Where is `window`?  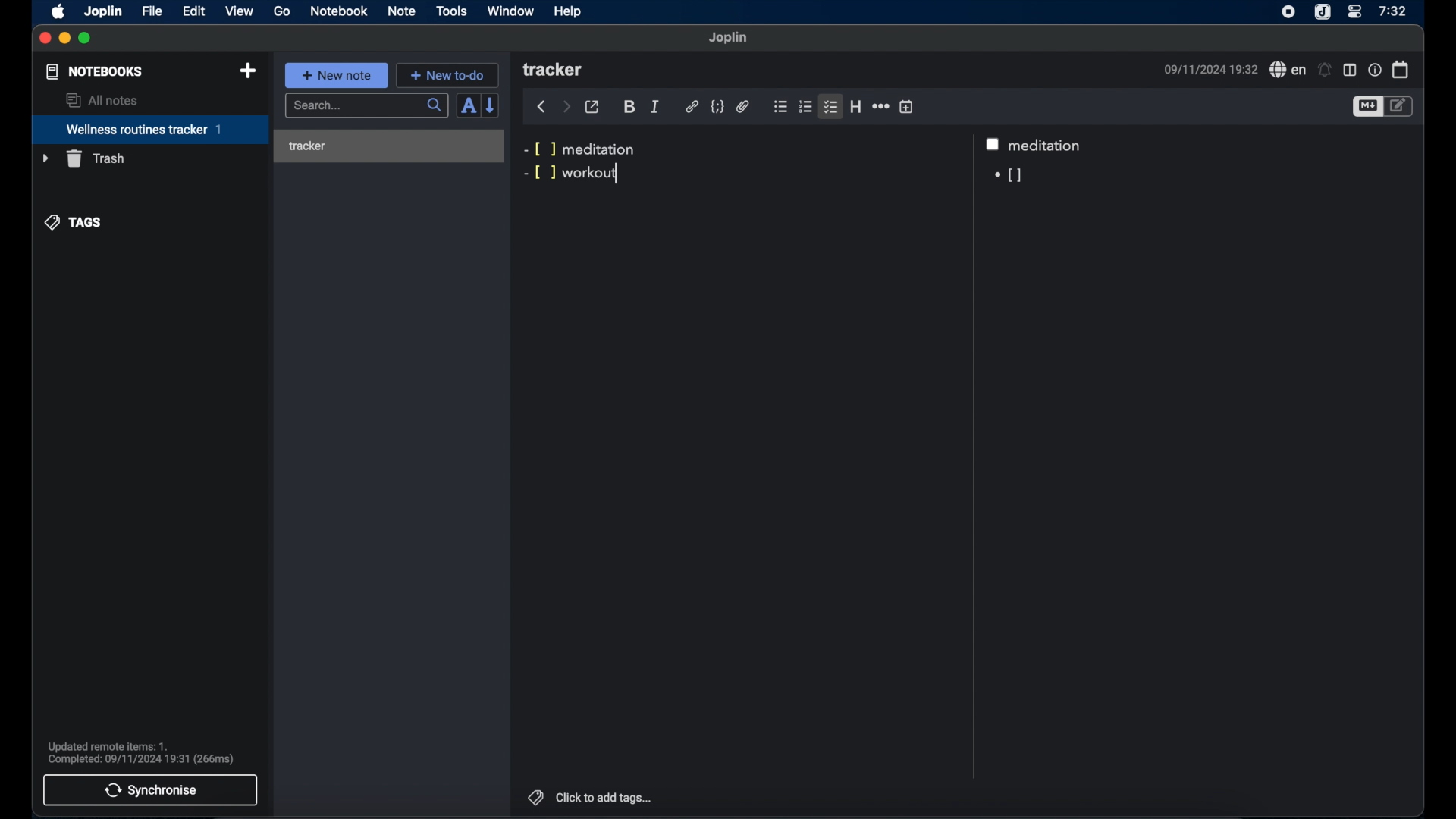
window is located at coordinates (511, 11).